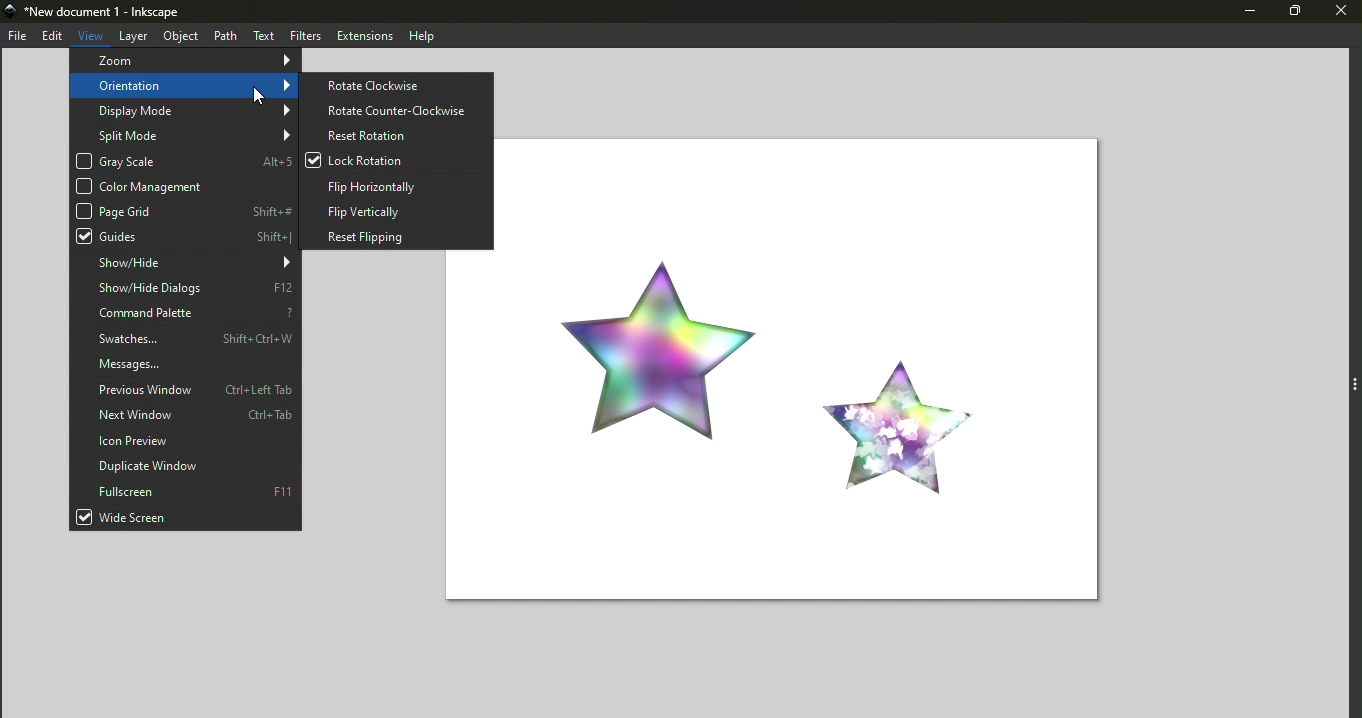 The width and height of the screenshot is (1362, 718). What do you see at coordinates (92, 33) in the screenshot?
I see `View` at bounding box center [92, 33].